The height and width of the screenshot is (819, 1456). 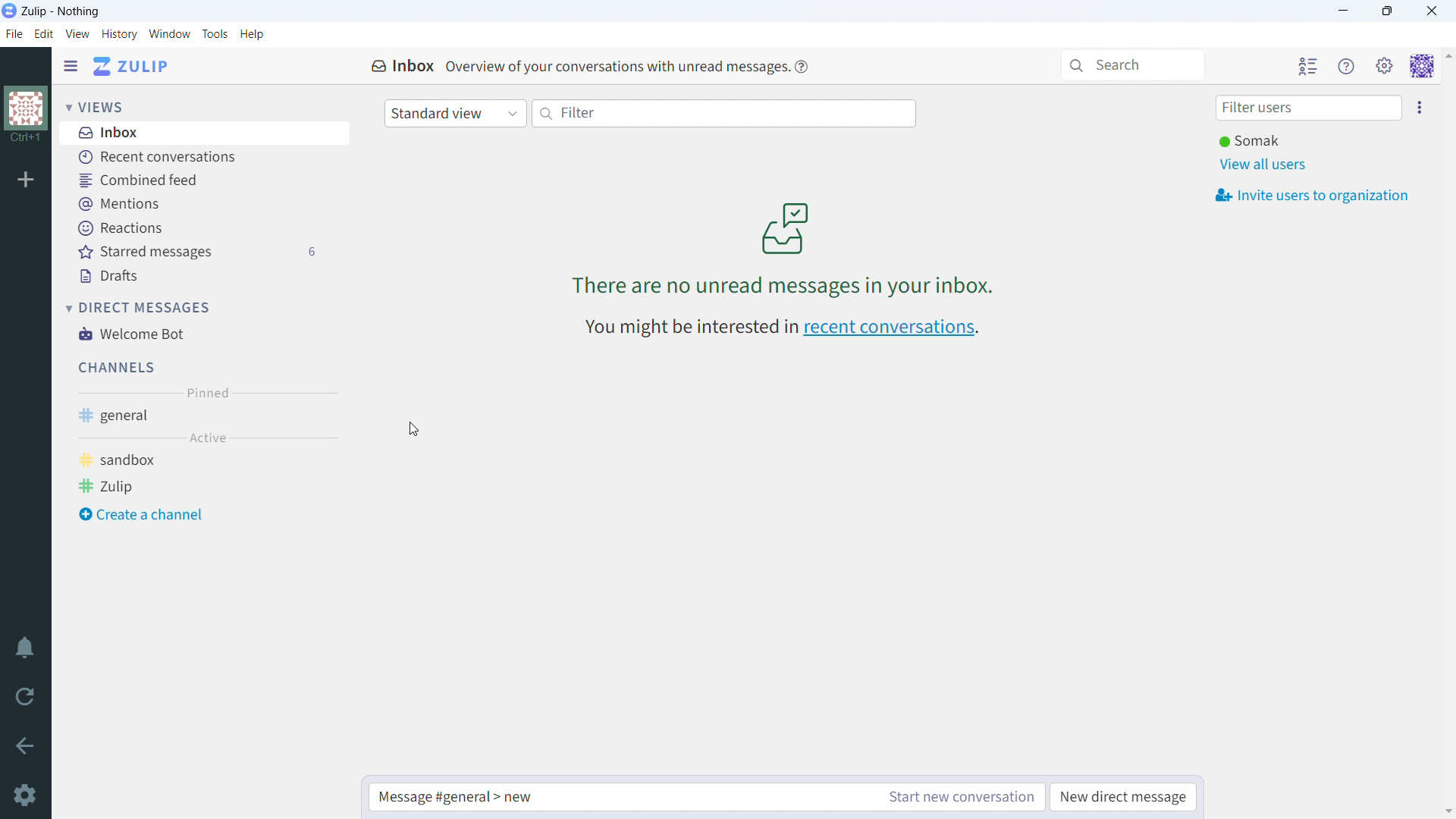 I want to click on start new conversation, so click(x=957, y=797).